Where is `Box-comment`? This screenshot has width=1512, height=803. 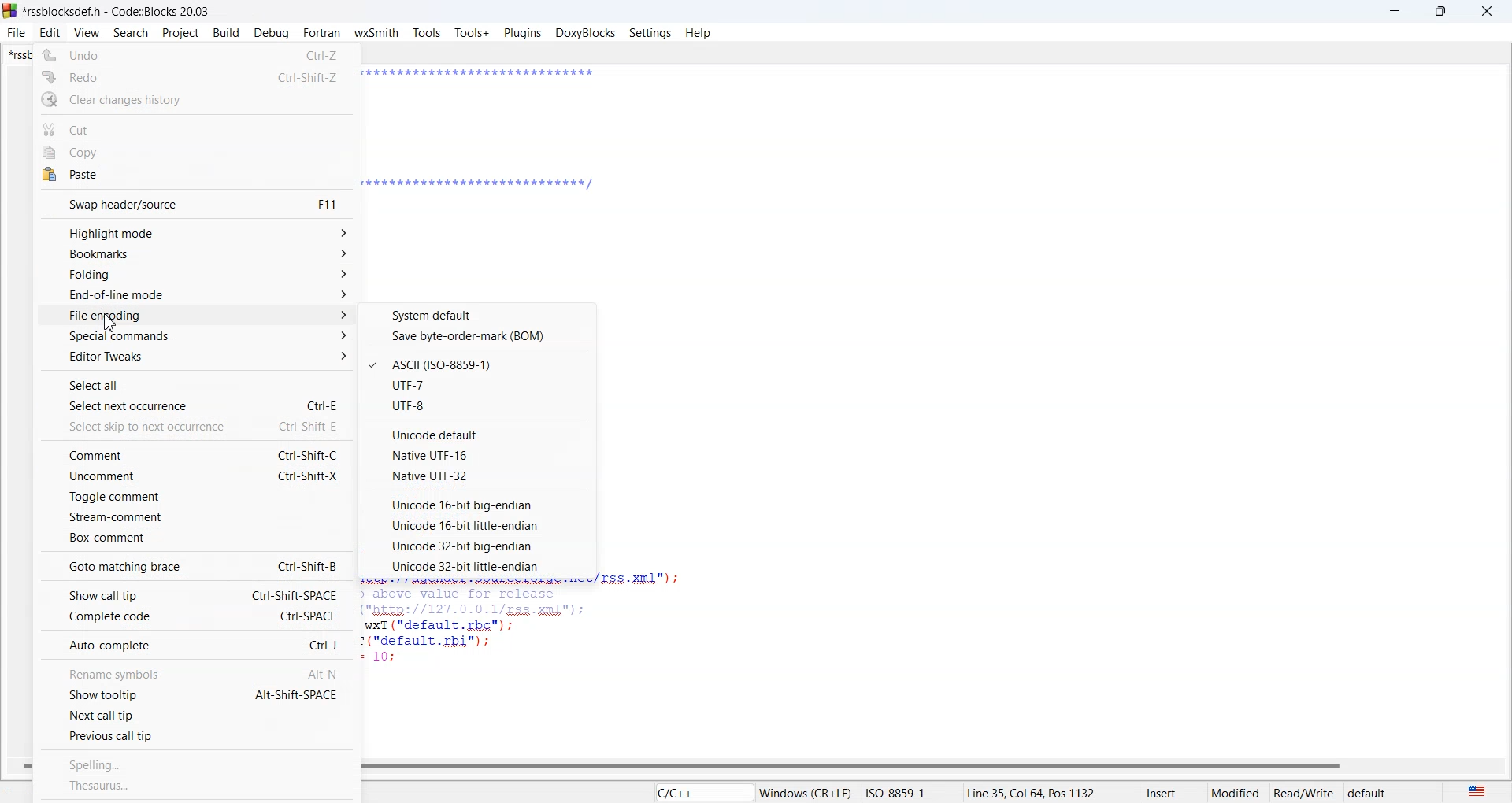
Box-comment is located at coordinates (195, 538).